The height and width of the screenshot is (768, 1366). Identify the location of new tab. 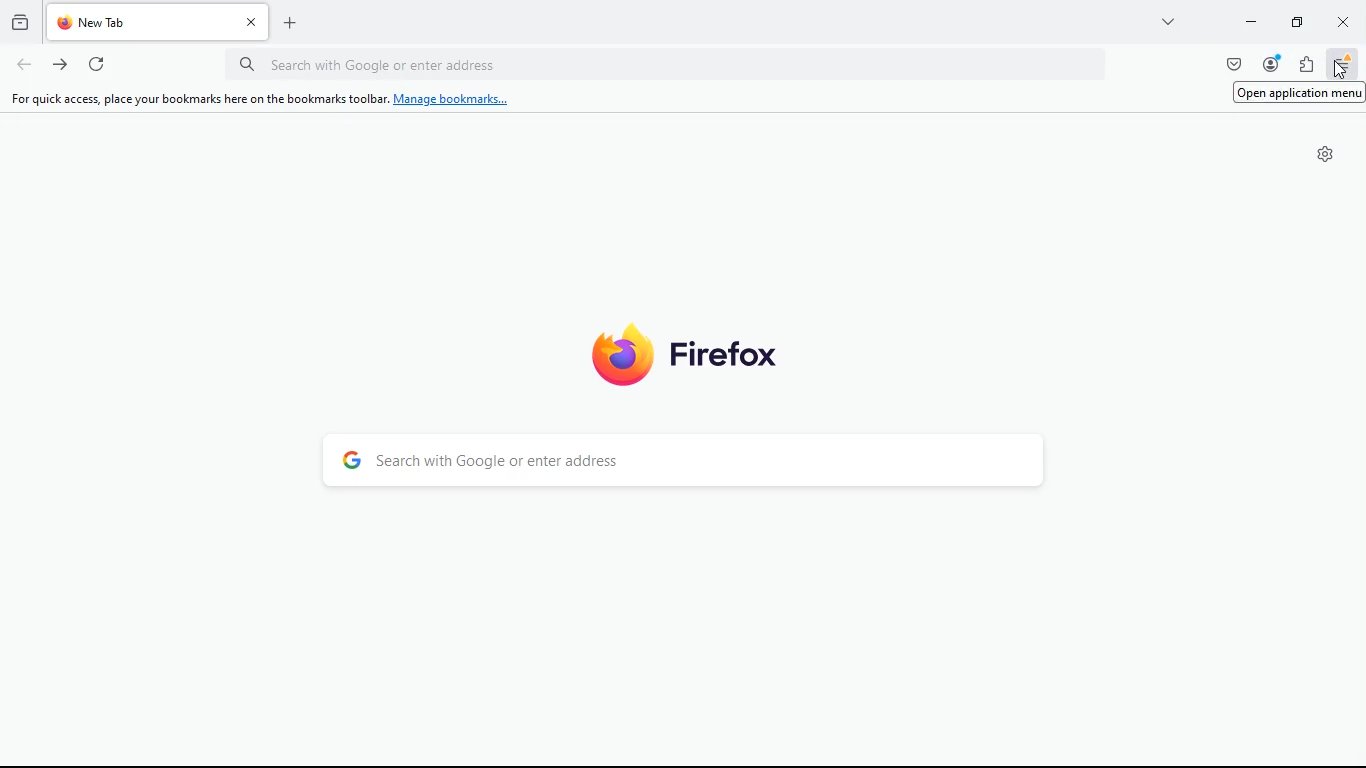
(298, 28).